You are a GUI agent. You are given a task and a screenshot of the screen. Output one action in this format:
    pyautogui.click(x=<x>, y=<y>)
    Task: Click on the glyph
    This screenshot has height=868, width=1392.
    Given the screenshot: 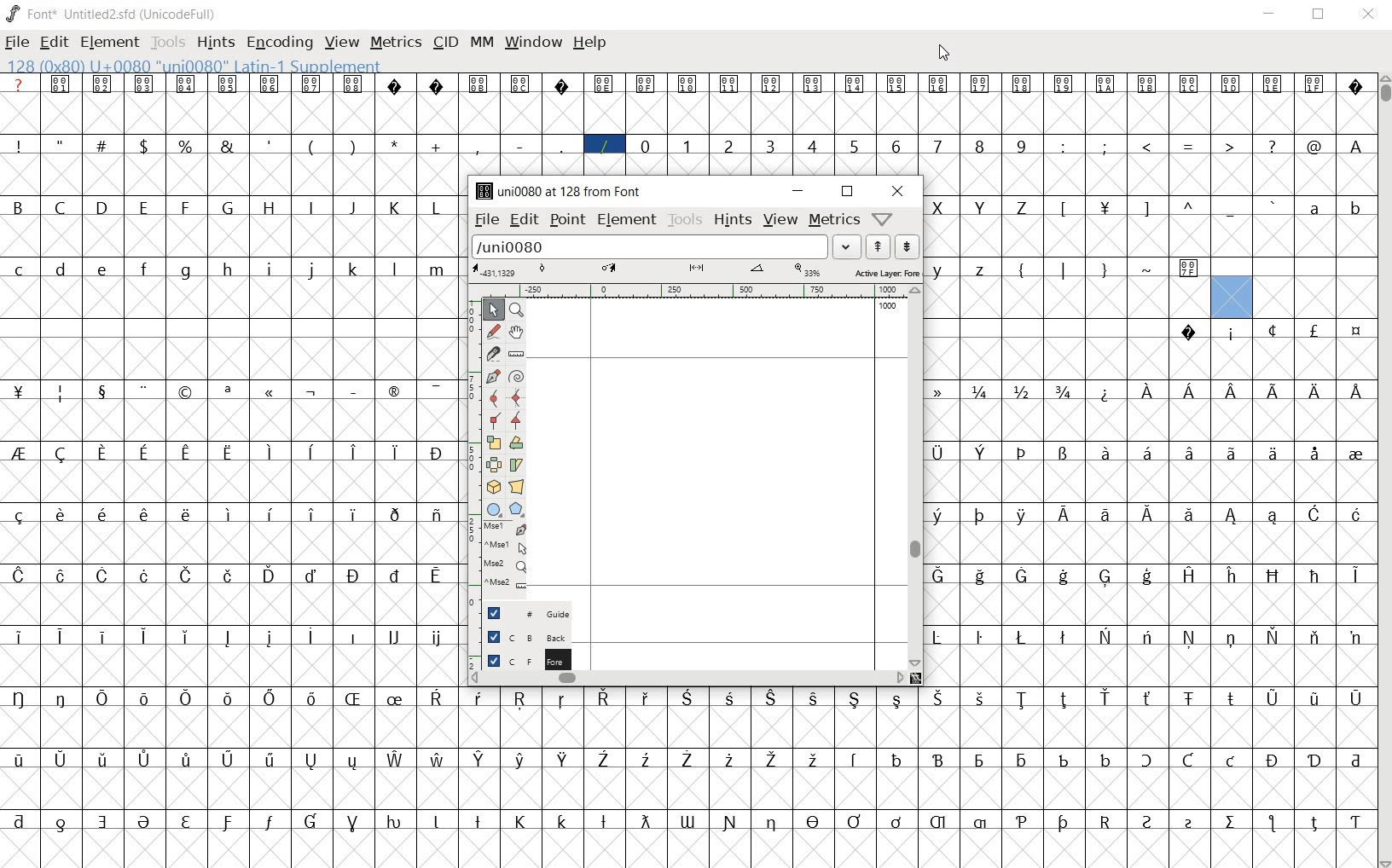 What is the action you would take?
    pyautogui.click(x=312, y=393)
    